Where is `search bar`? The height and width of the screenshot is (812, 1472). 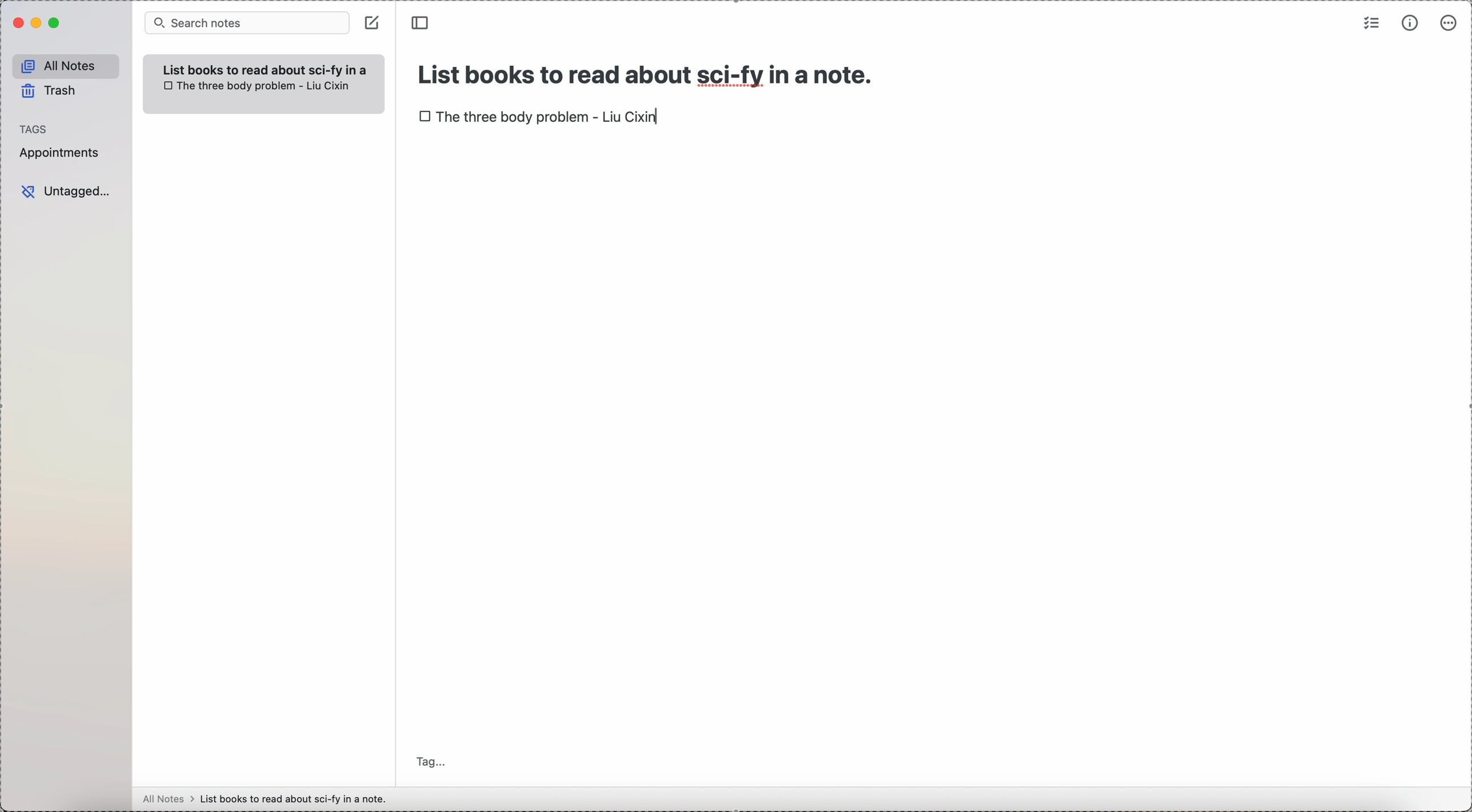 search bar is located at coordinates (246, 23).